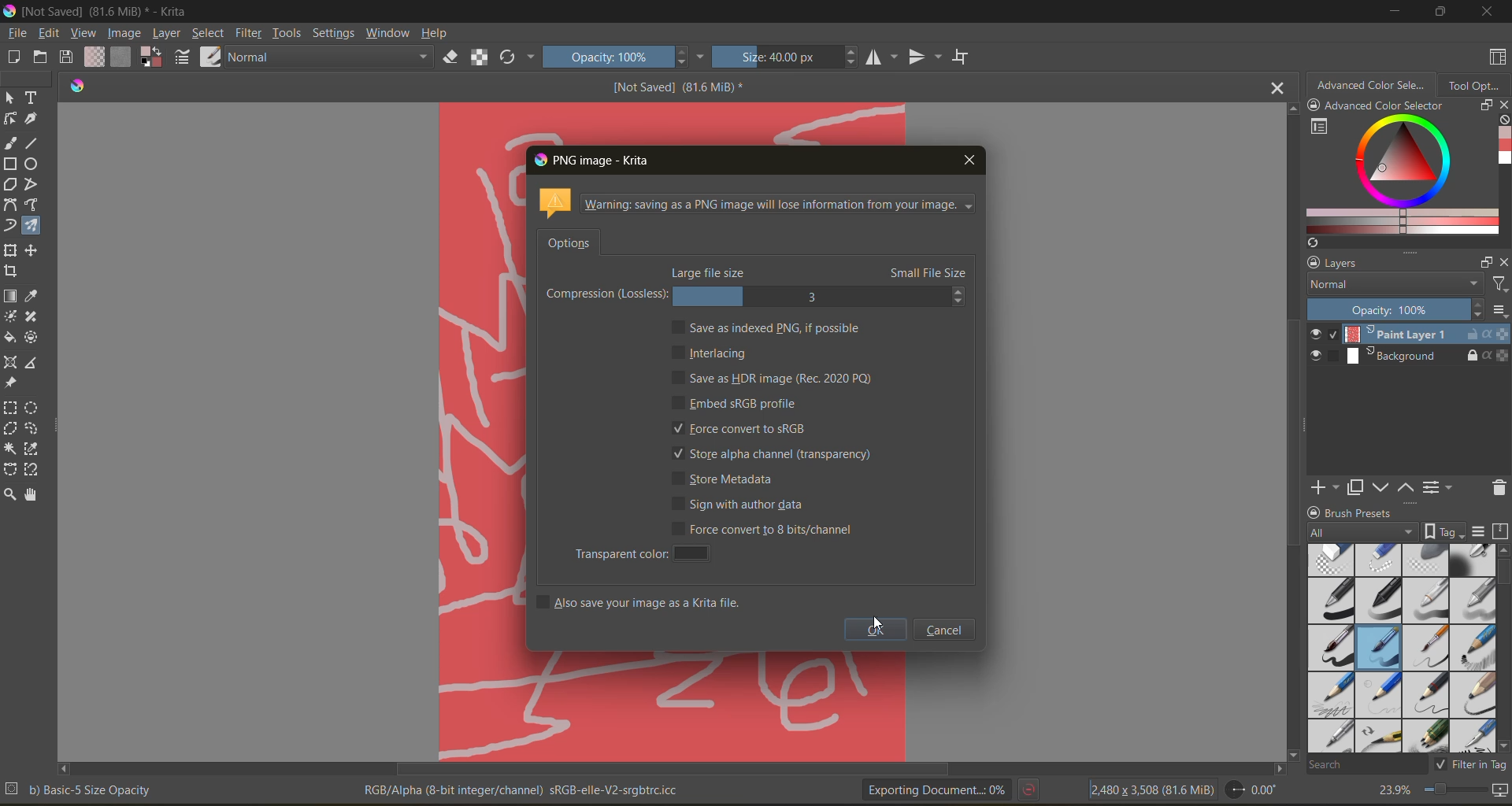 The image size is (1512, 806). What do you see at coordinates (329, 57) in the screenshot?
I see `normal` at bounding box center [329, 57].